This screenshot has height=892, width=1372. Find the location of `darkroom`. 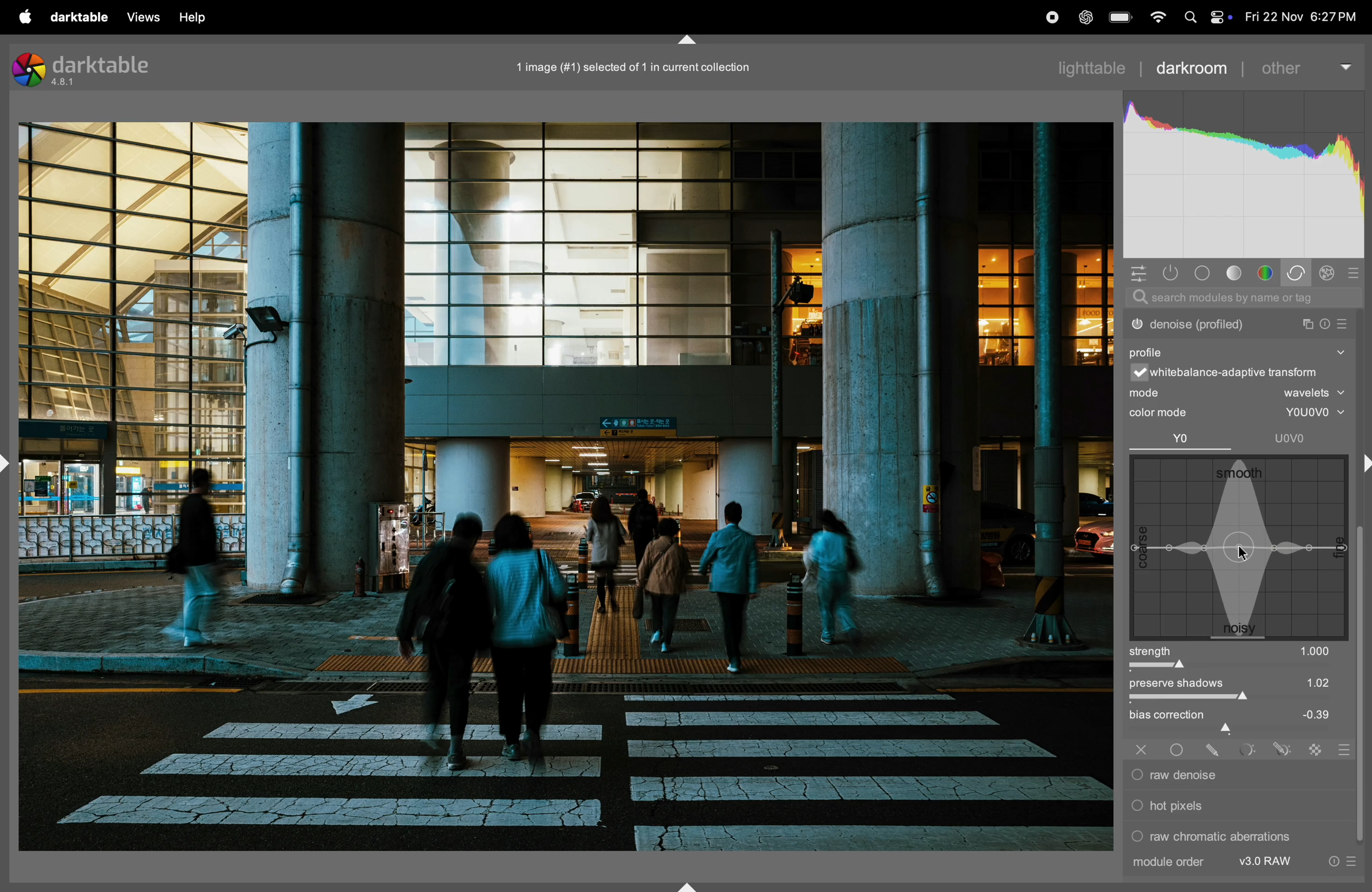

darkroom is located at coordinates (1195, 70).